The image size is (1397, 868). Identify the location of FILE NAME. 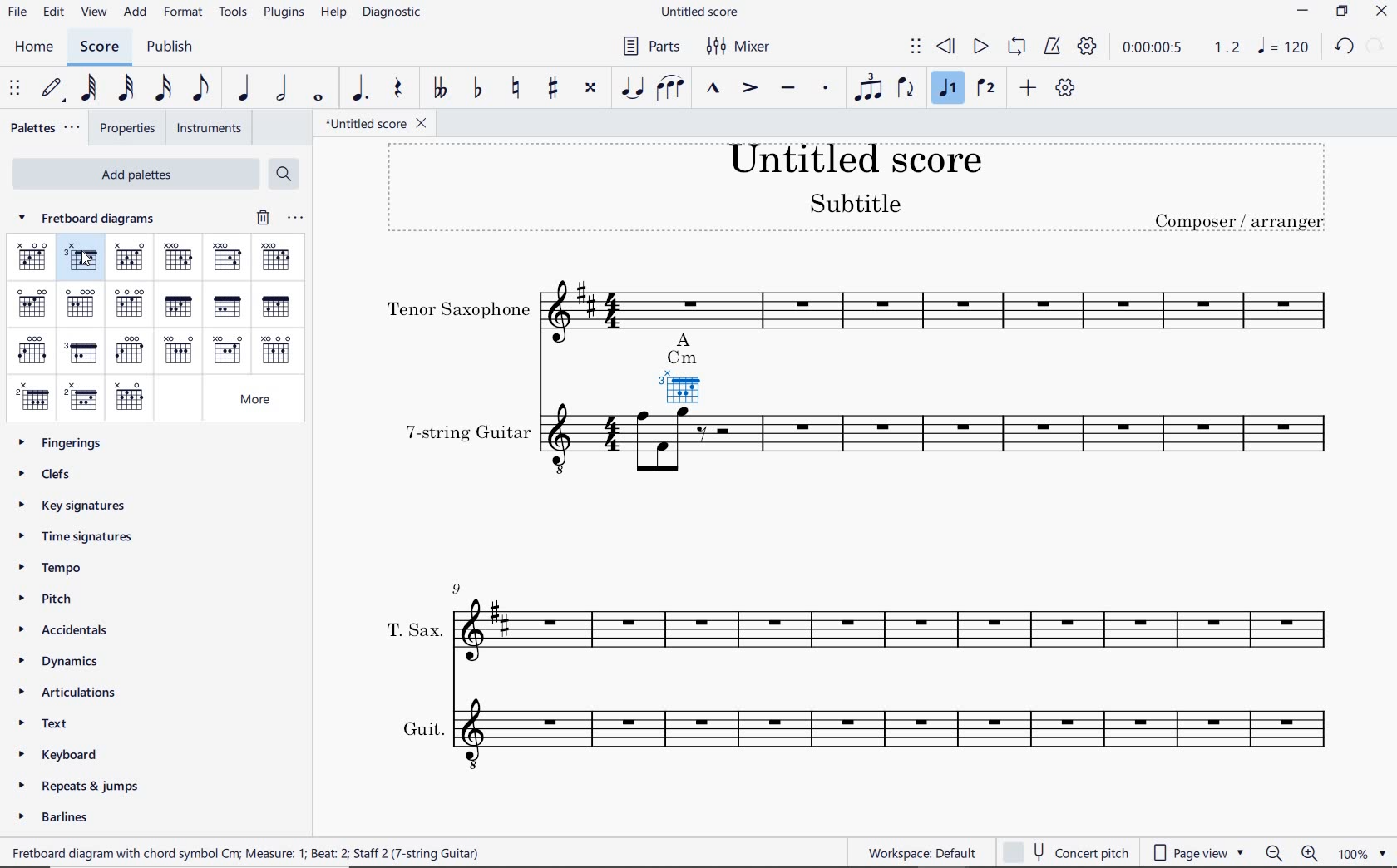
(374, 124).